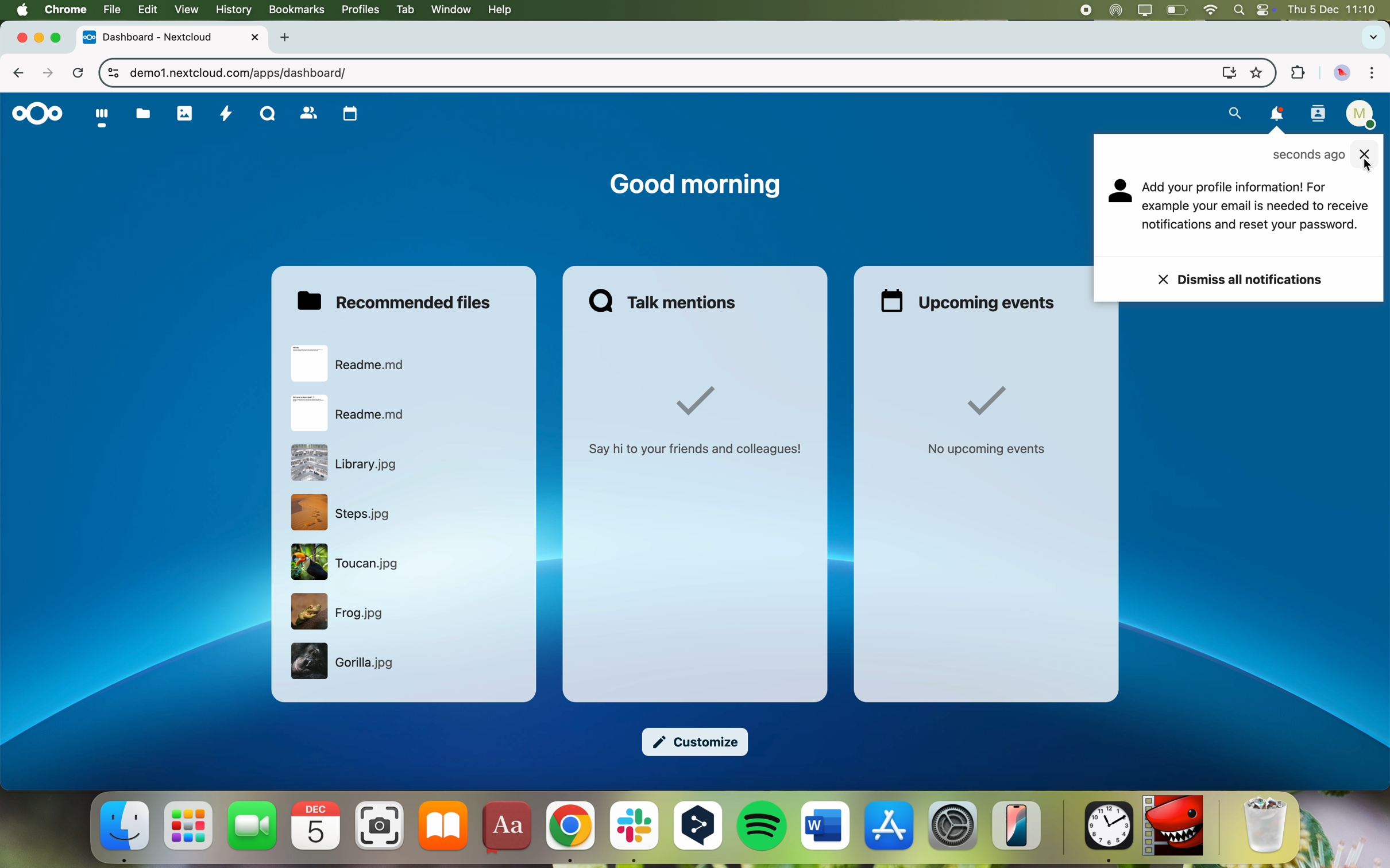  I want to click on edit, so click(146, 10).